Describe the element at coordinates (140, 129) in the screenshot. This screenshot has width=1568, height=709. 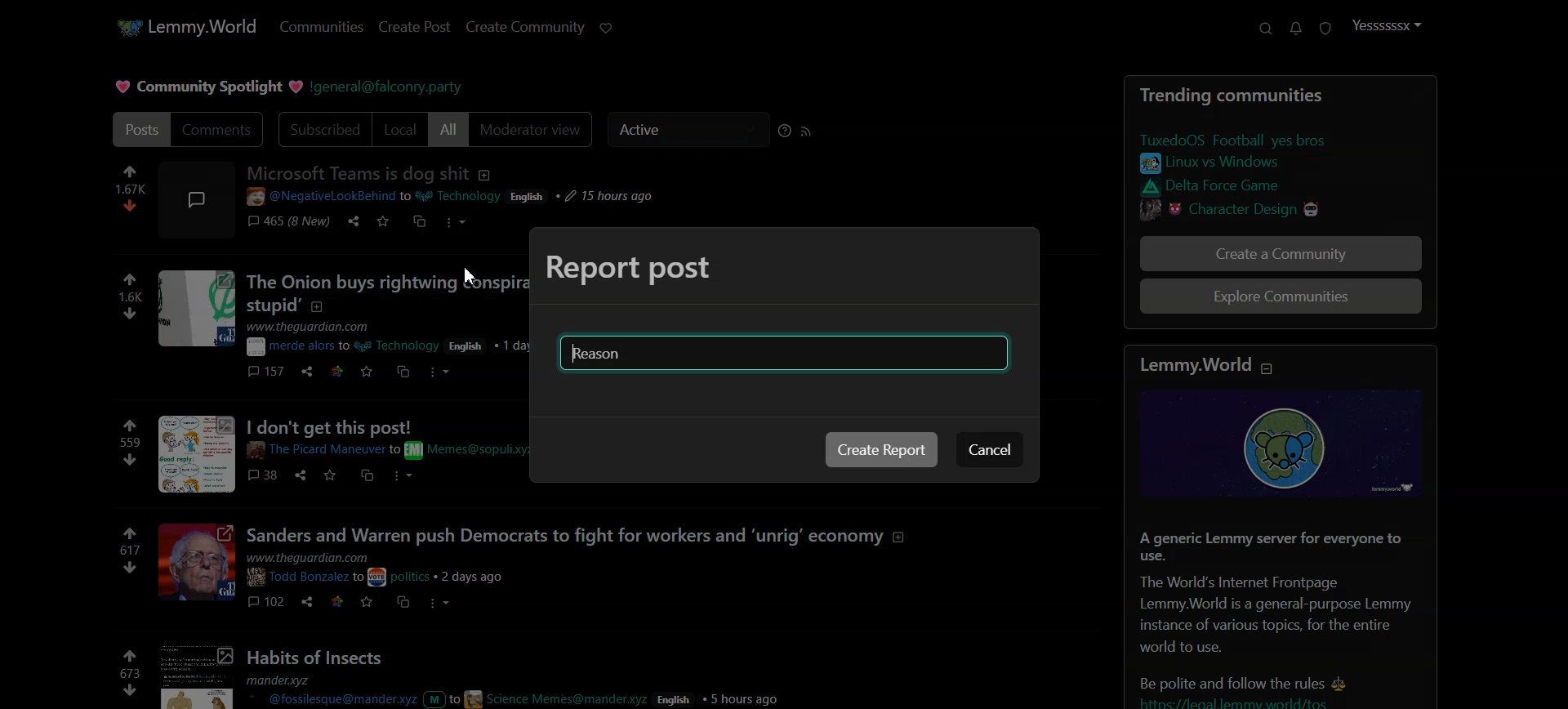
I see `Posts` at that location.